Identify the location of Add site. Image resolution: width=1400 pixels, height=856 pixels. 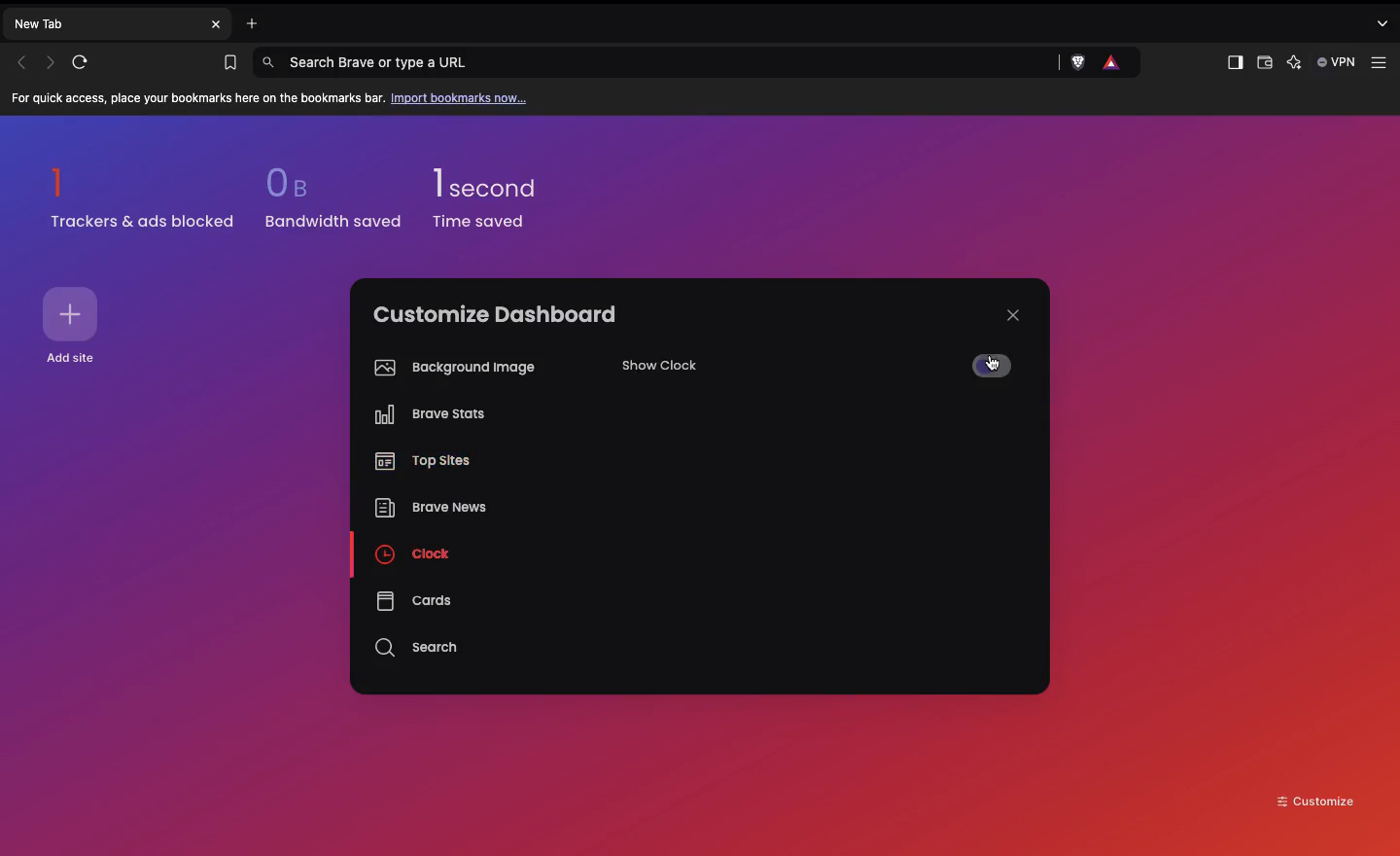
(74, 314).